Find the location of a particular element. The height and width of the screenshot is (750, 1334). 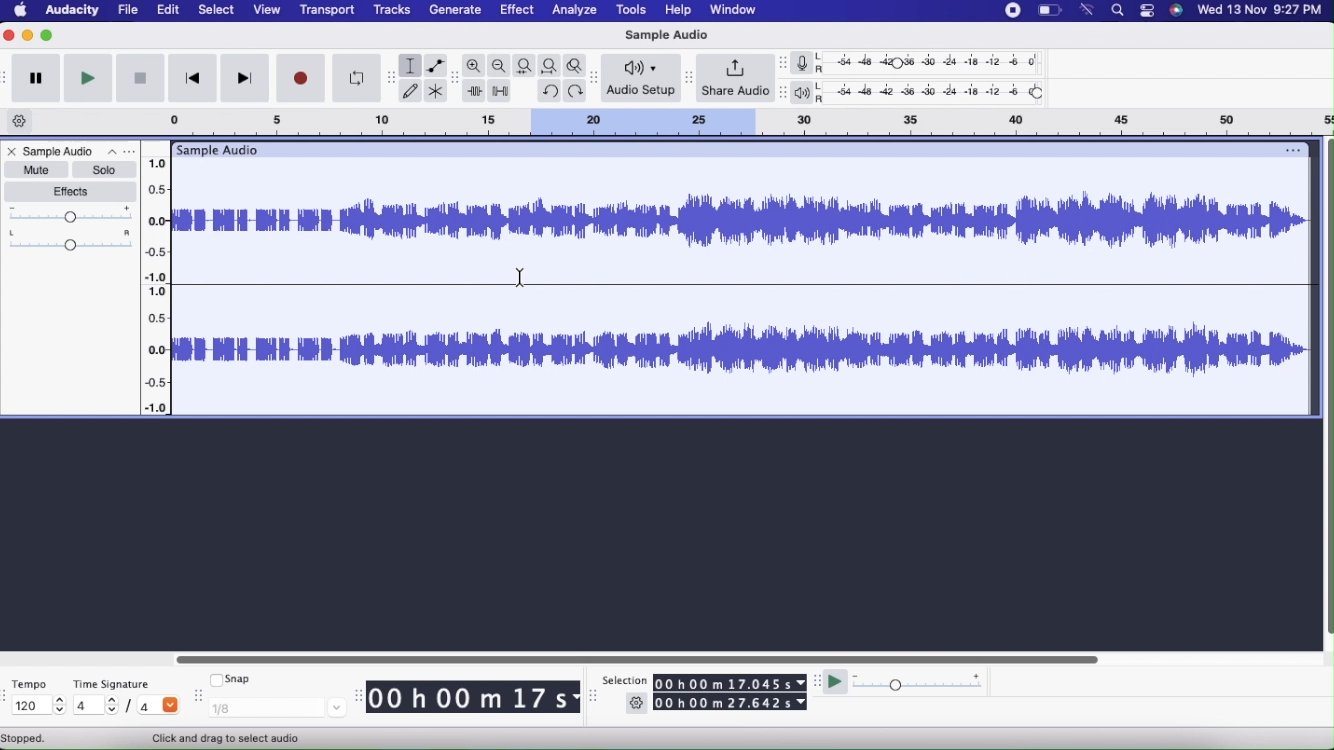

audio track is located at coordinates (743, 350).